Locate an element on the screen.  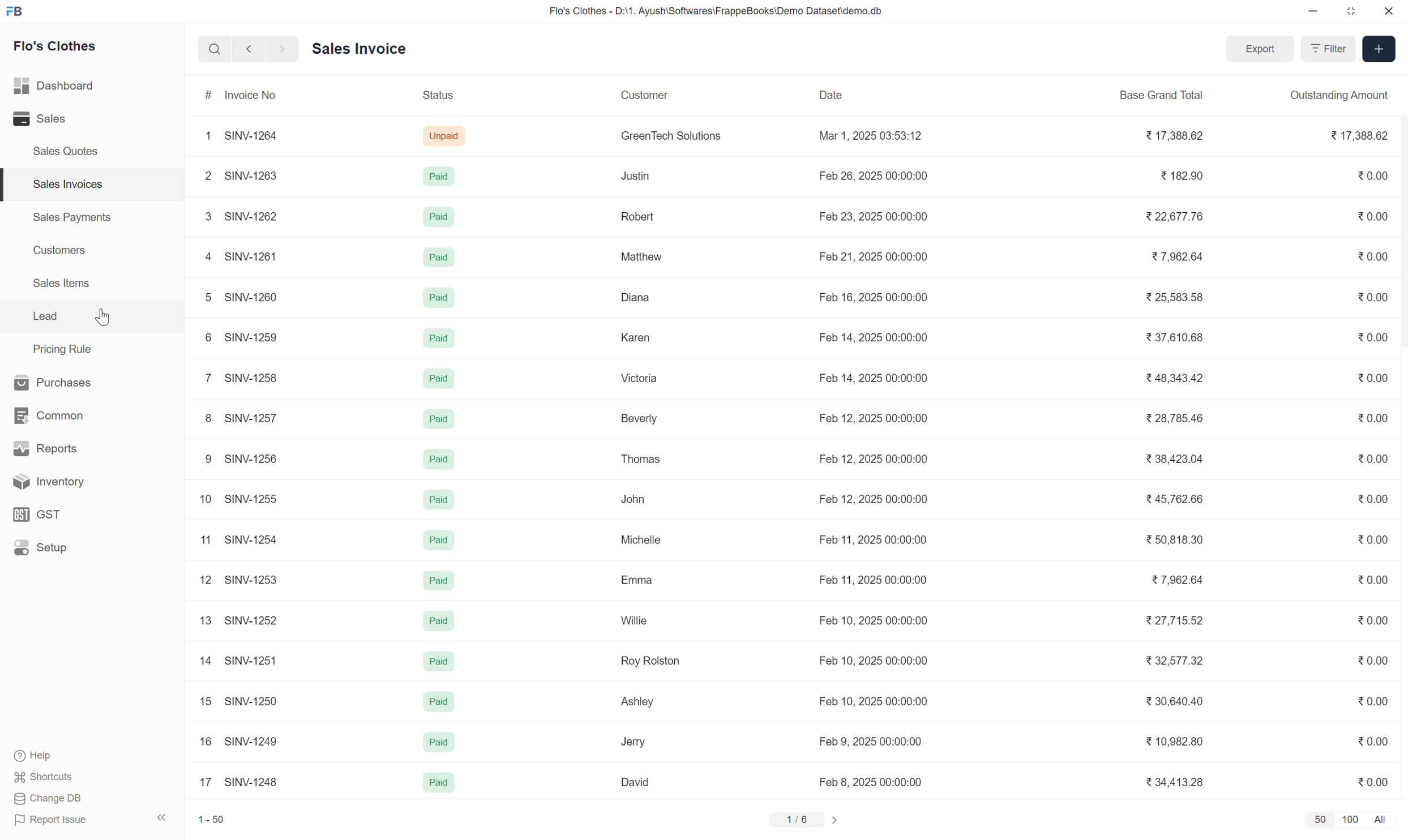
Feb 12, 2025 00:00:00 is located at coordinates (871, 500).